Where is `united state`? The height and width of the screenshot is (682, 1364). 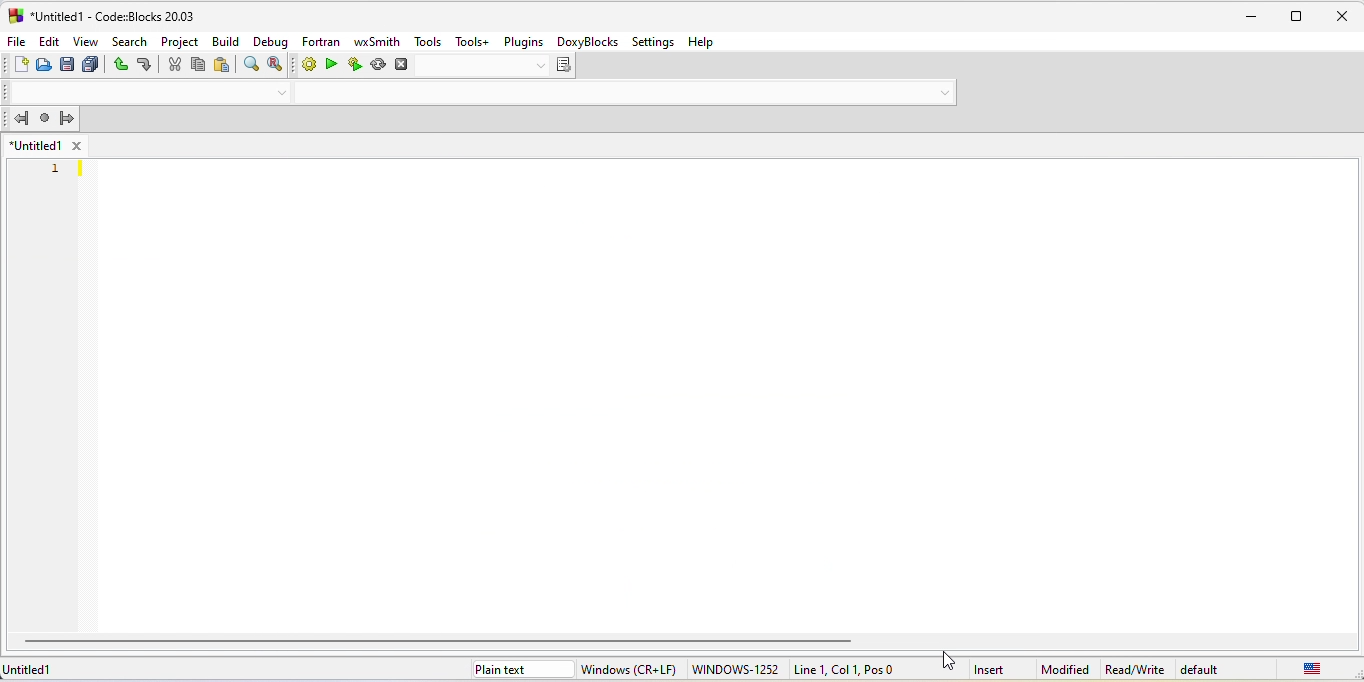
united state is located at coordinates (1313, 668).